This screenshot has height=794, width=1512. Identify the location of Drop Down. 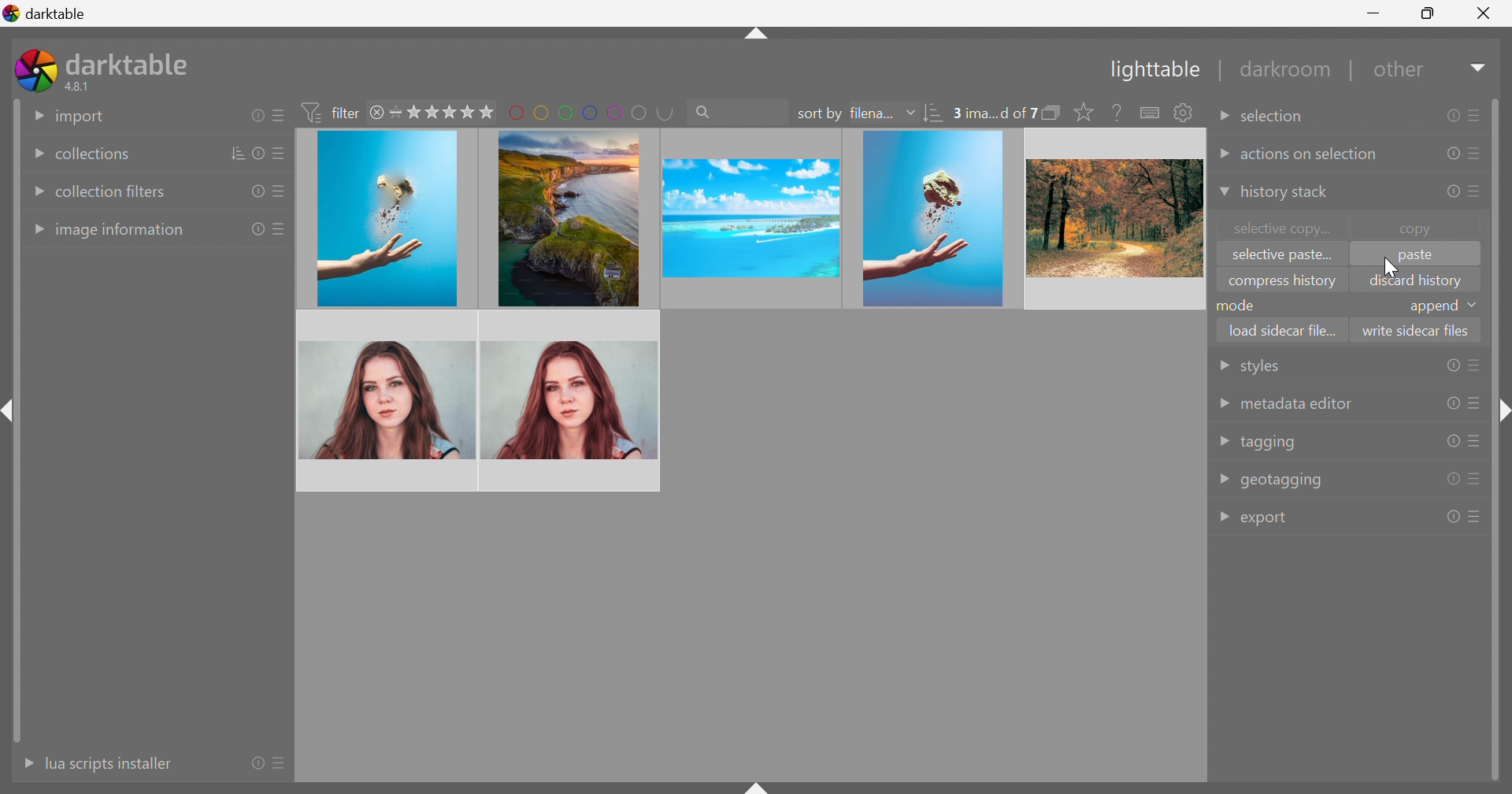
(31, 155).